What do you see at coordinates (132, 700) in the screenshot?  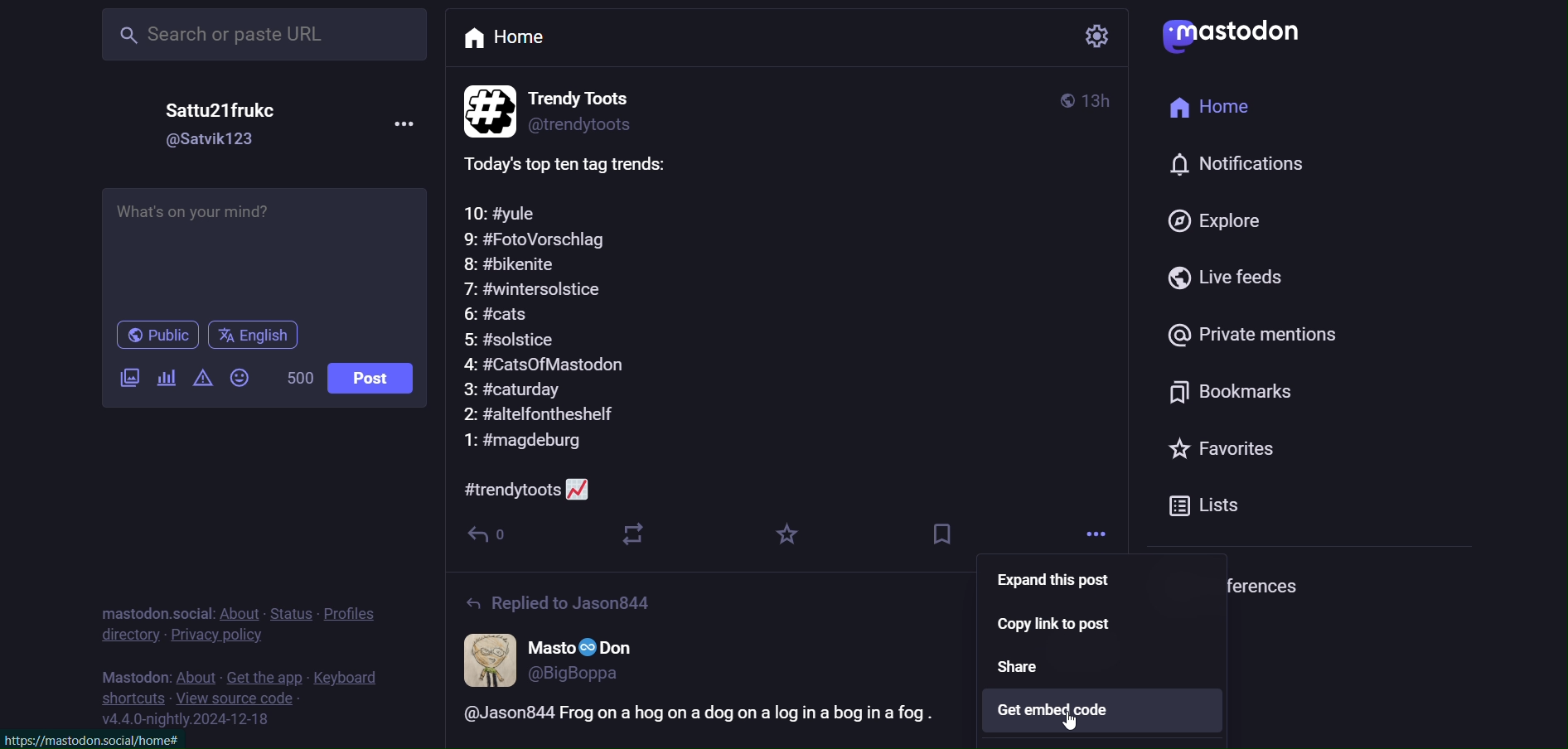 I see `shortcuts` at bounding box center [132, 700].